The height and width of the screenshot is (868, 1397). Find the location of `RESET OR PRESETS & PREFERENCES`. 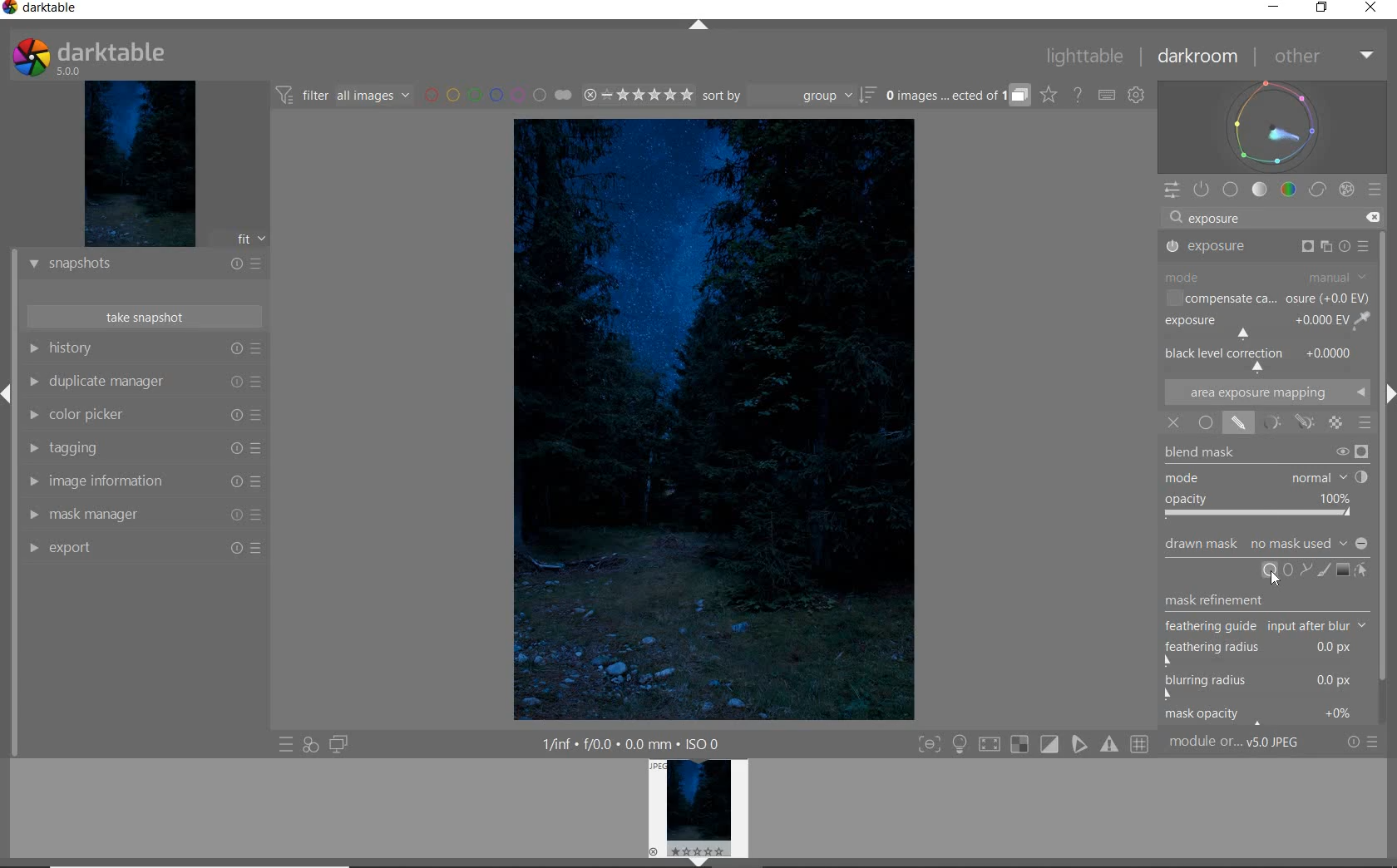

RESET OR PRESETS & PREFERENCES is located at coordinates (1364, 742).